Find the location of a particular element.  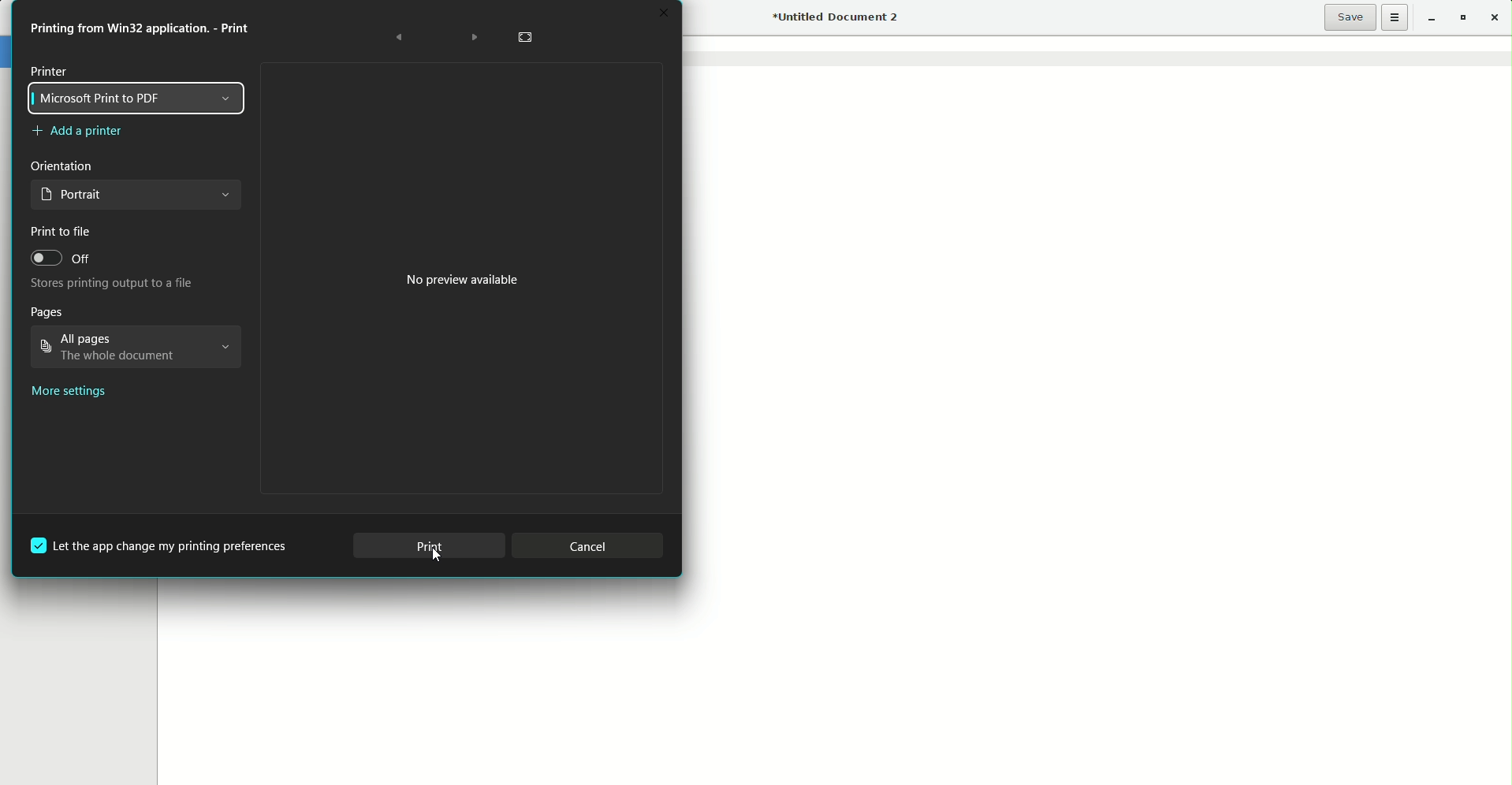

More settings is located at coordinates (70, 393).